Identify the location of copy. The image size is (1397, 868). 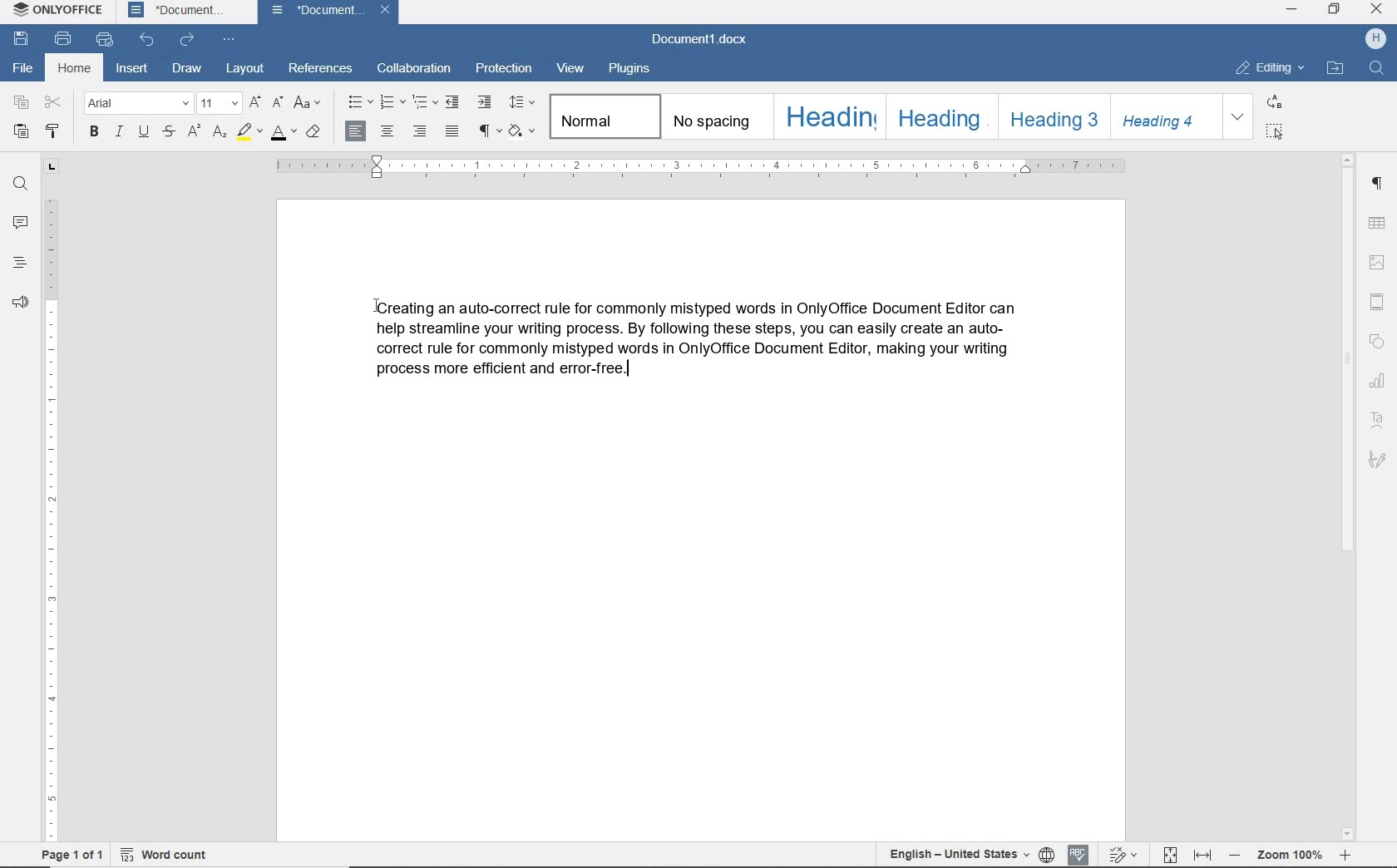
(20, 104).